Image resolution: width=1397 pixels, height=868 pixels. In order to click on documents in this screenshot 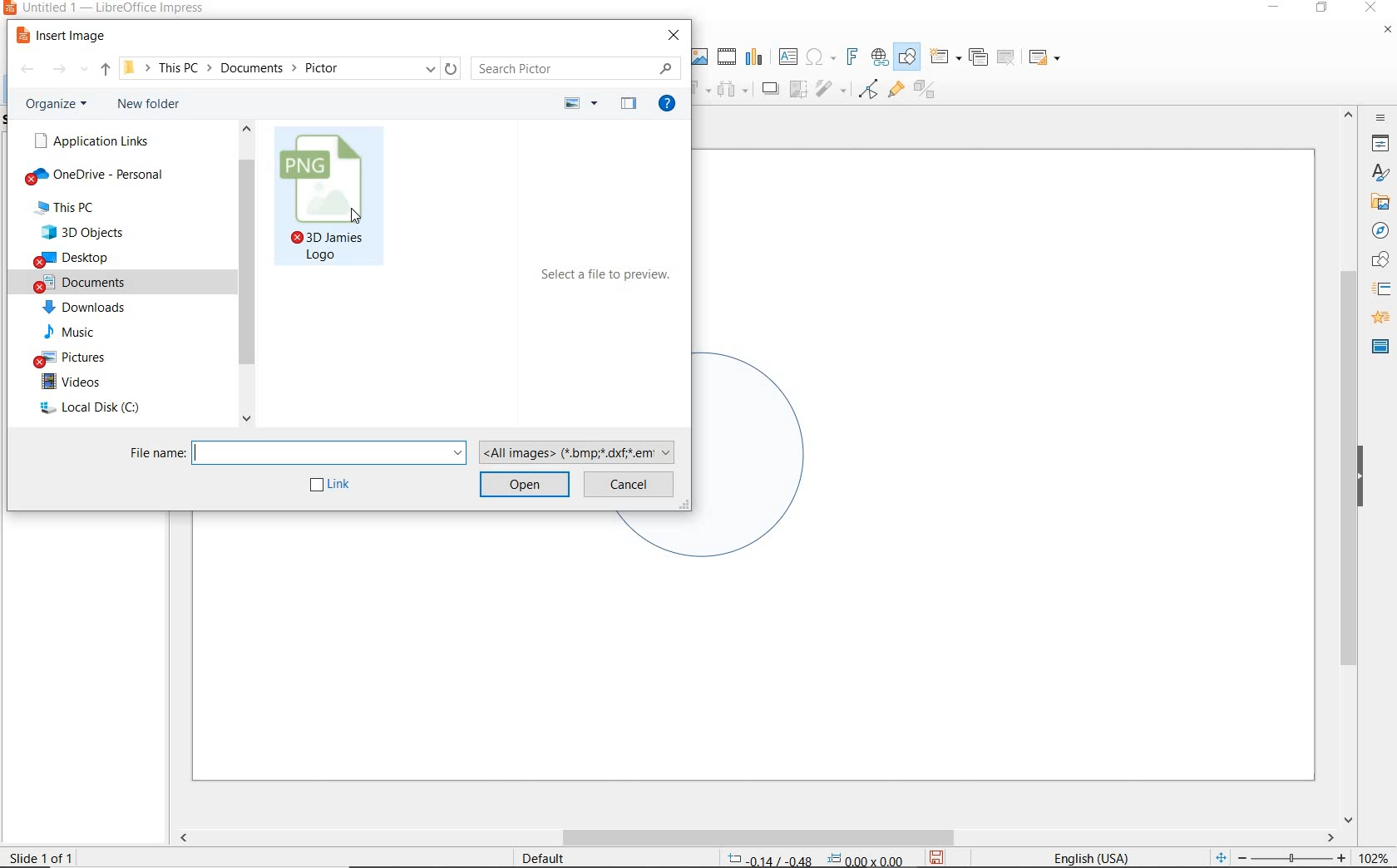, I will do `click(96, 282)`.